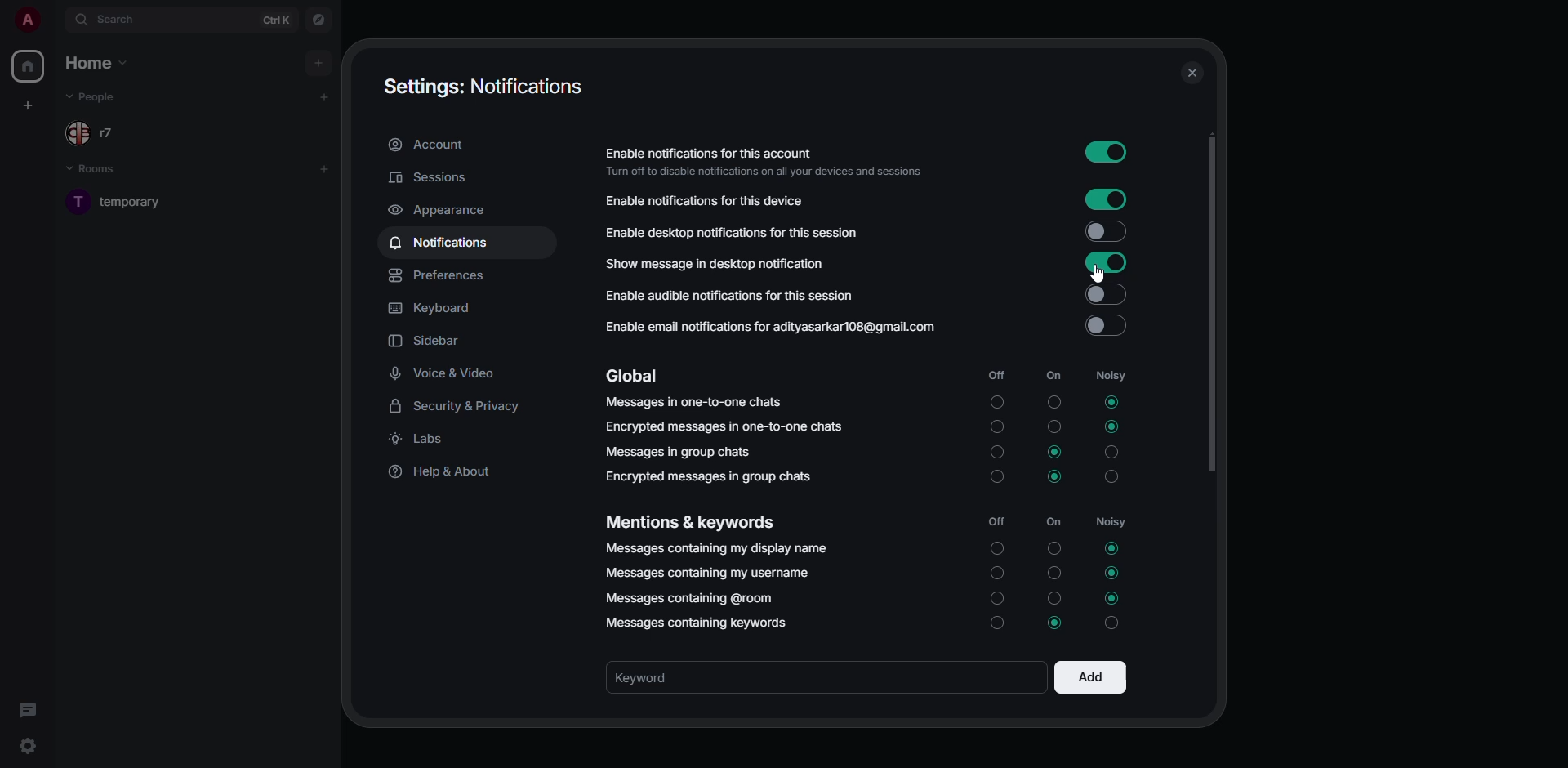 Image resolution: width=1568 pixels, height=768 pixels. Describe the element at coordinates (679, 452) in the screenshot. I see `messages in group chat` at that location.